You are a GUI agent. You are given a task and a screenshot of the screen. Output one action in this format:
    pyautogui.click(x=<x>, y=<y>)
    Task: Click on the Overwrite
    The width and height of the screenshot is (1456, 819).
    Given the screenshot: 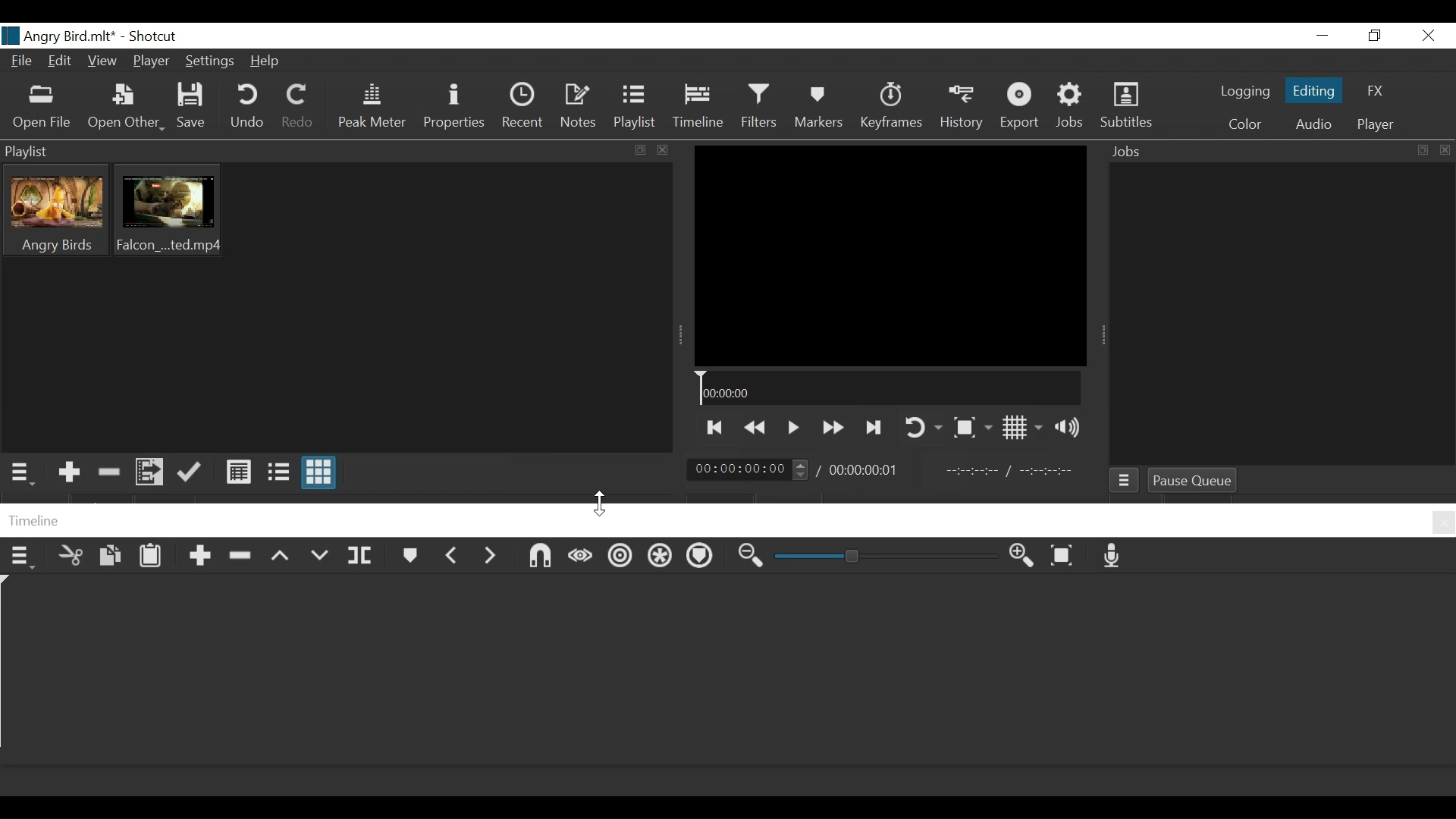 What is the action you would take?
    pyautogui.click(x=320, y=560)
    